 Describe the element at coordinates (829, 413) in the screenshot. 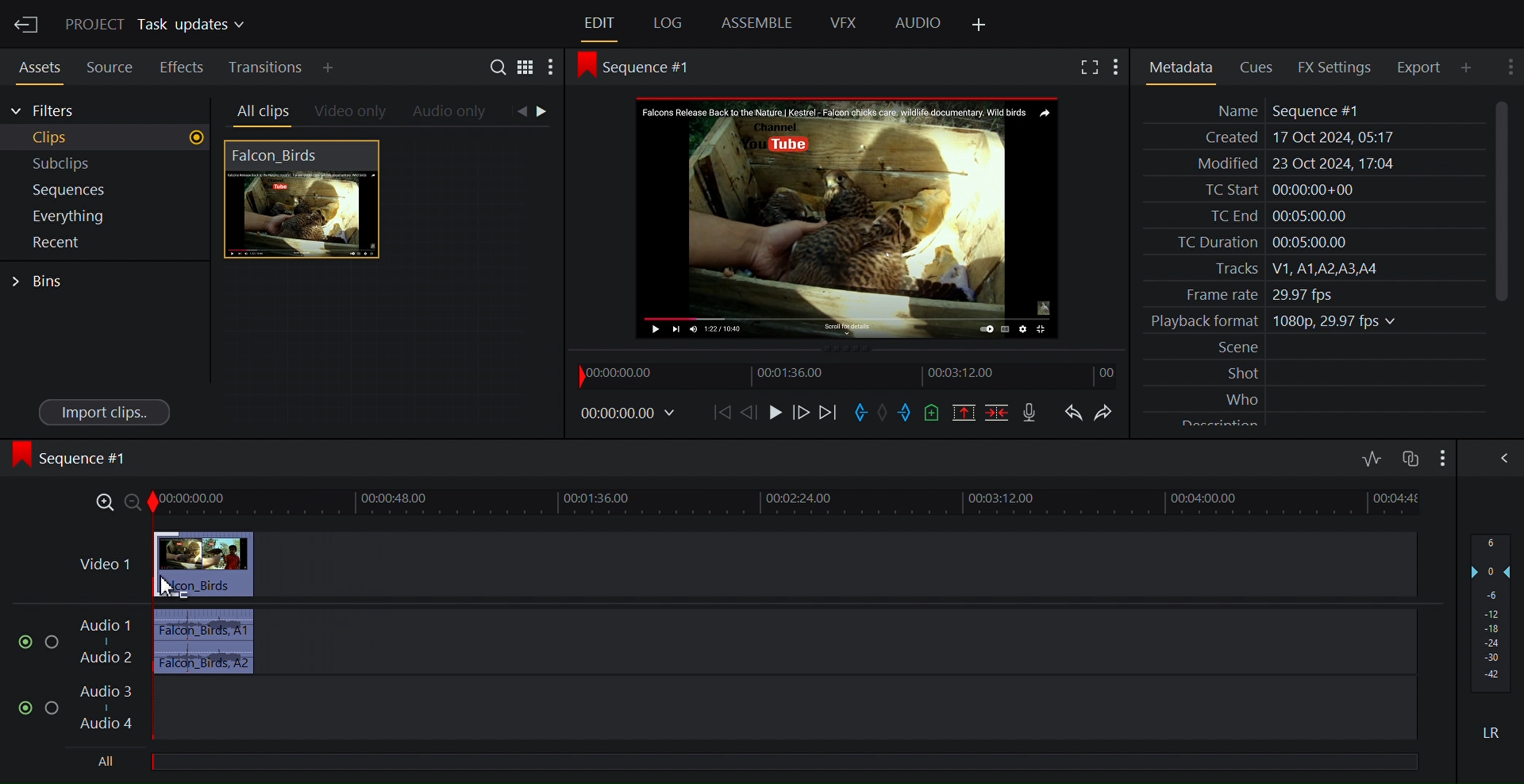

I see `Move forward` at that location.